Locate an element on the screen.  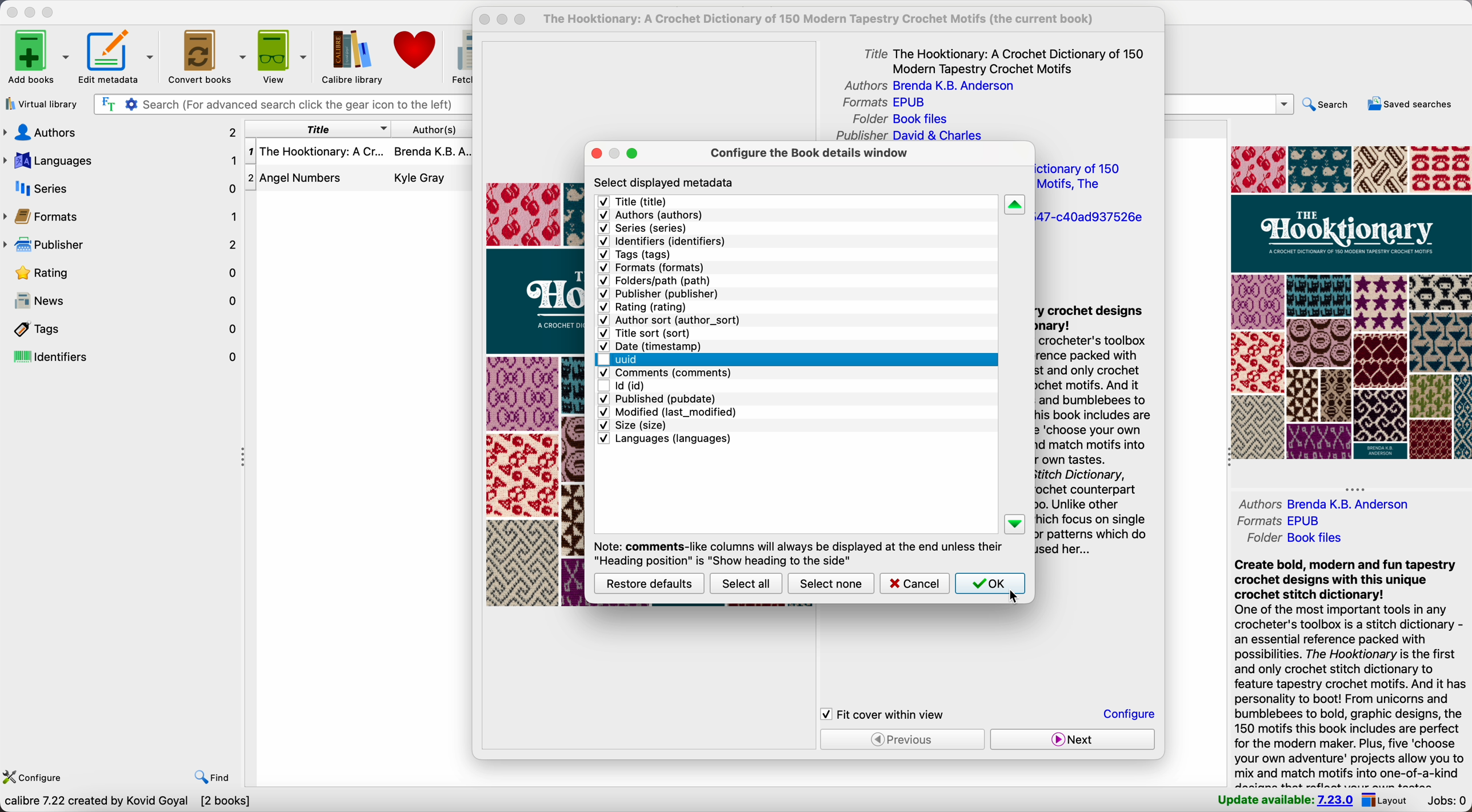
saved searches is located at coordinates (1413, 105).